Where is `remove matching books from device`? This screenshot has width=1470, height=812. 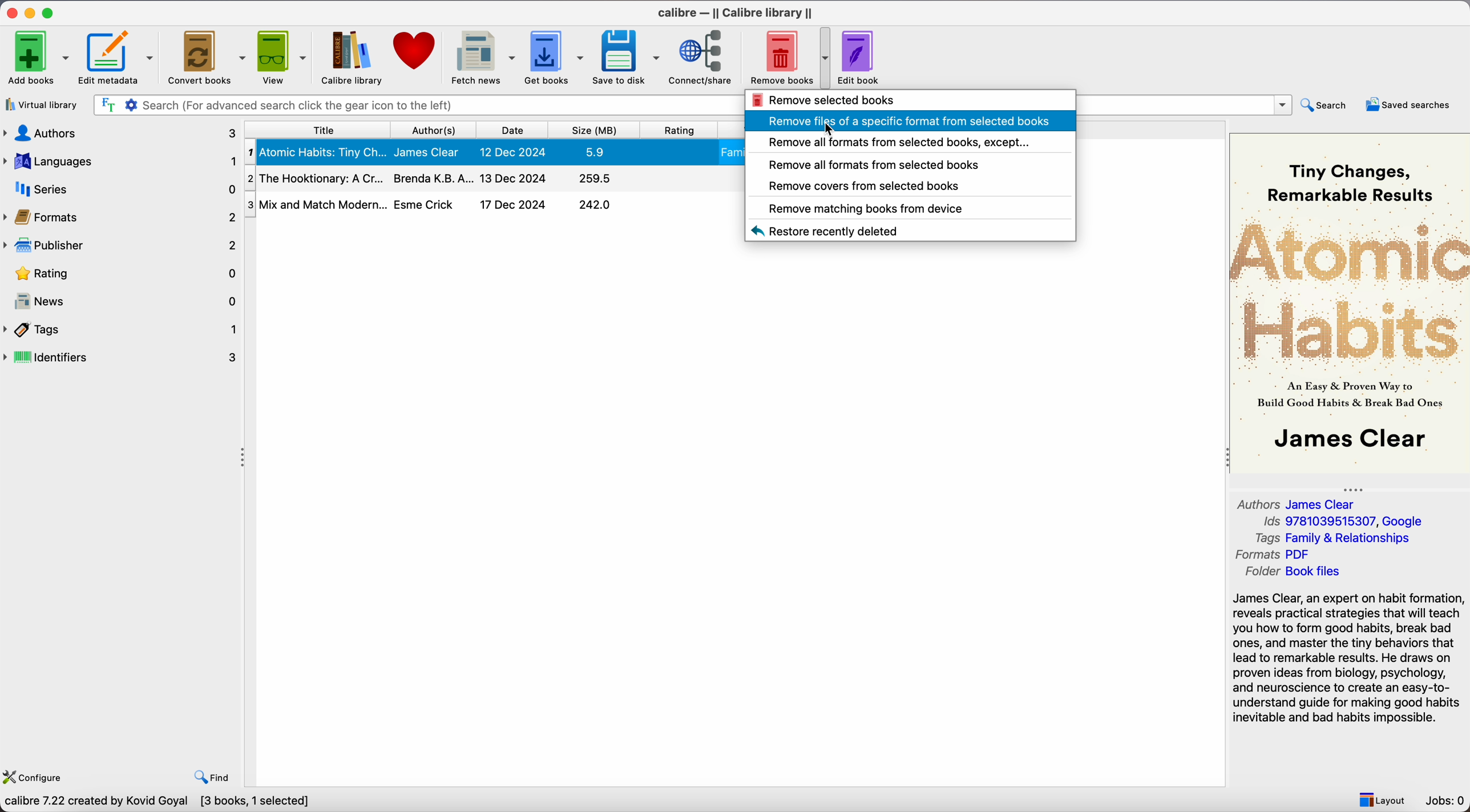
remove matching books from device is located at coordinates (867, 209).